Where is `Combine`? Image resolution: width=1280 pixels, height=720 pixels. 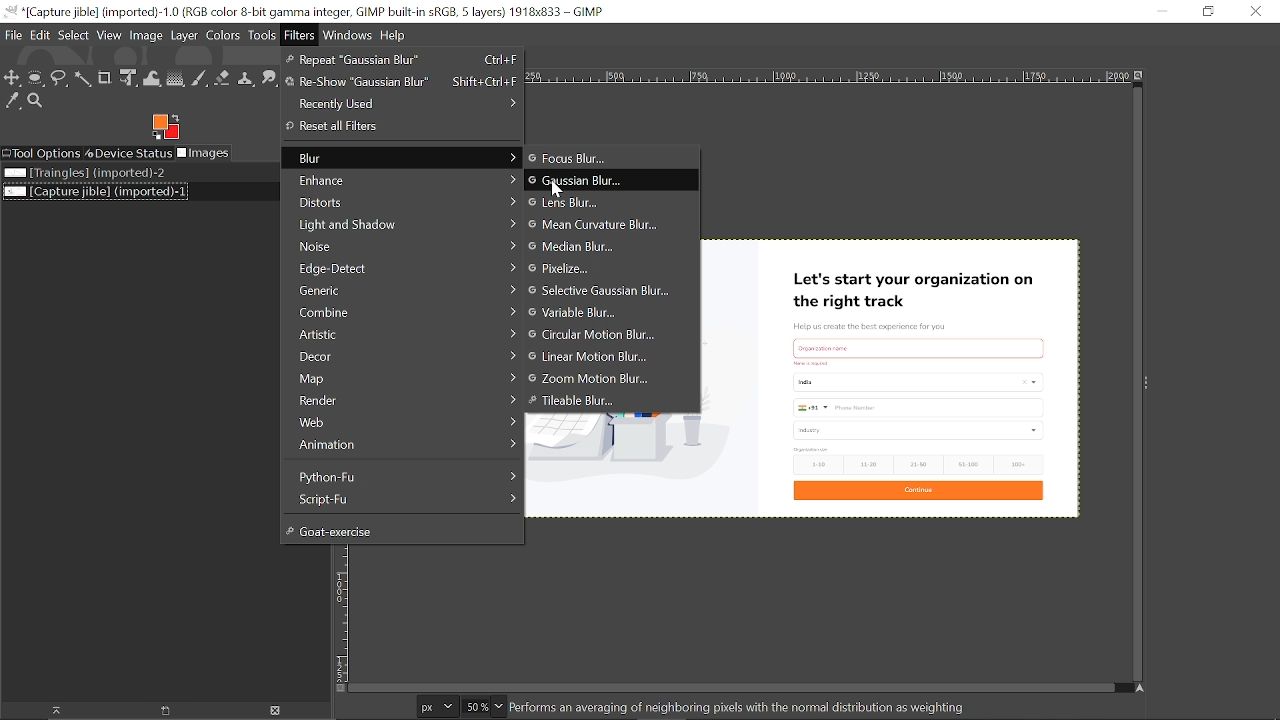 Combine is located at coordinates (402, 312).